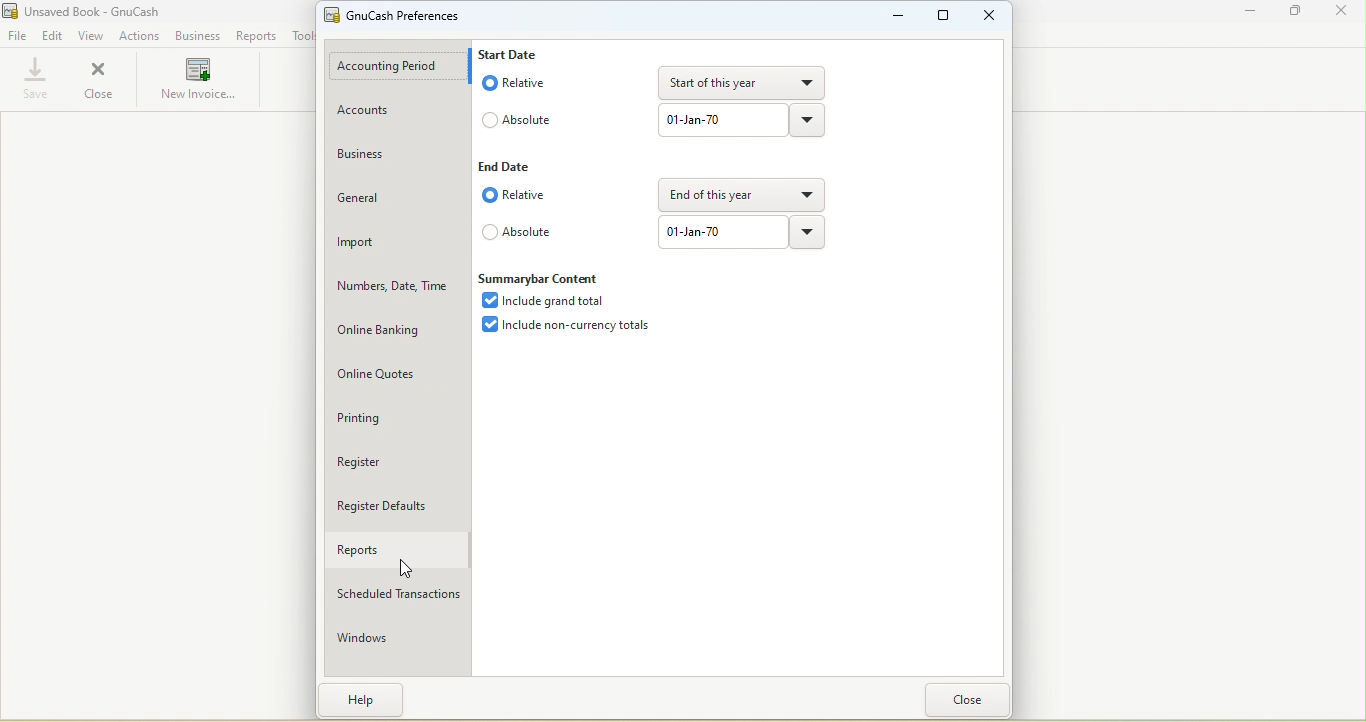 The width and height of the screenshot is (1366, 722). I want to click on Absolute, so click(521, 116).